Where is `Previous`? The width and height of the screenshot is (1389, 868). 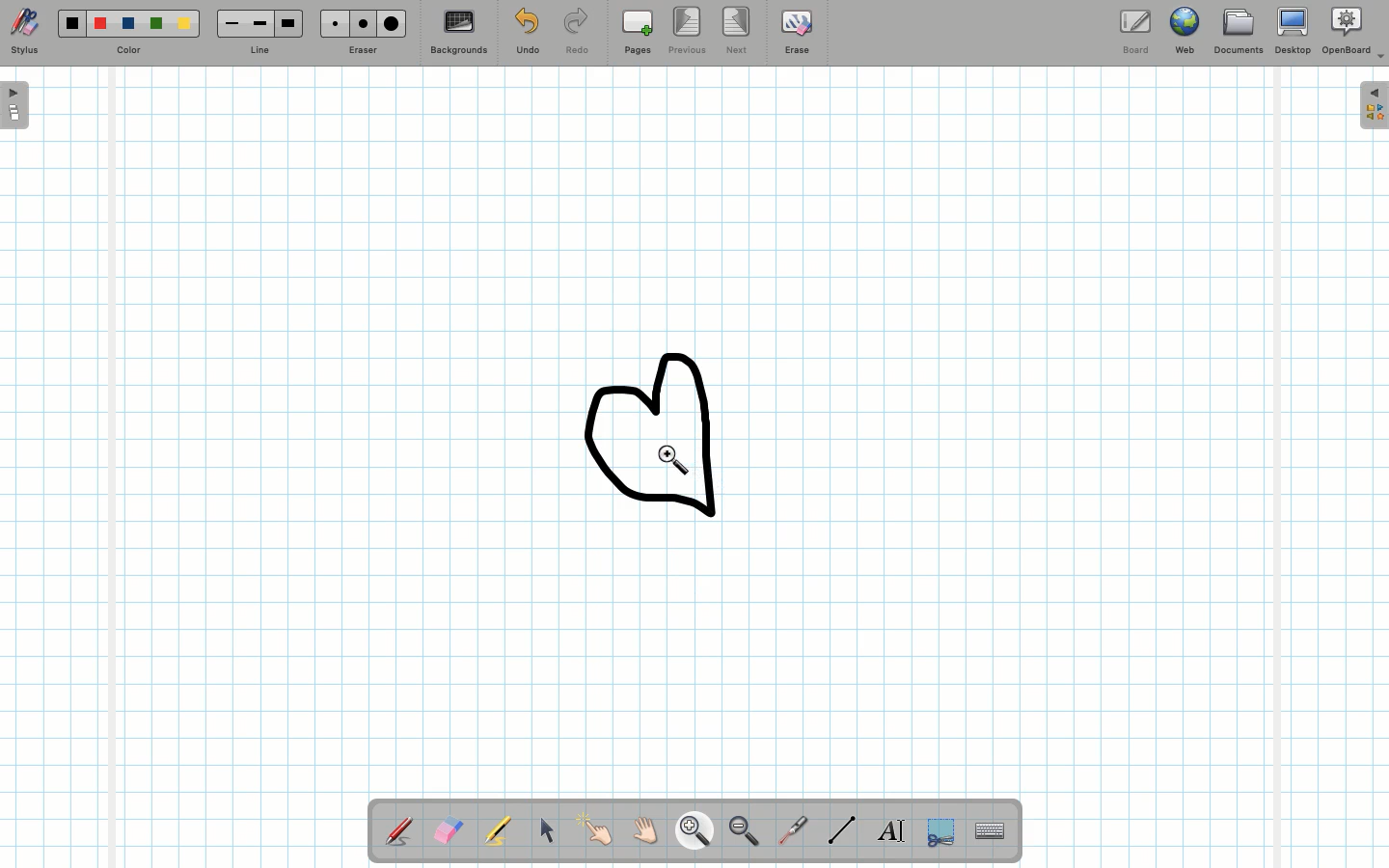
Previous is located at coordinates (685, 31).